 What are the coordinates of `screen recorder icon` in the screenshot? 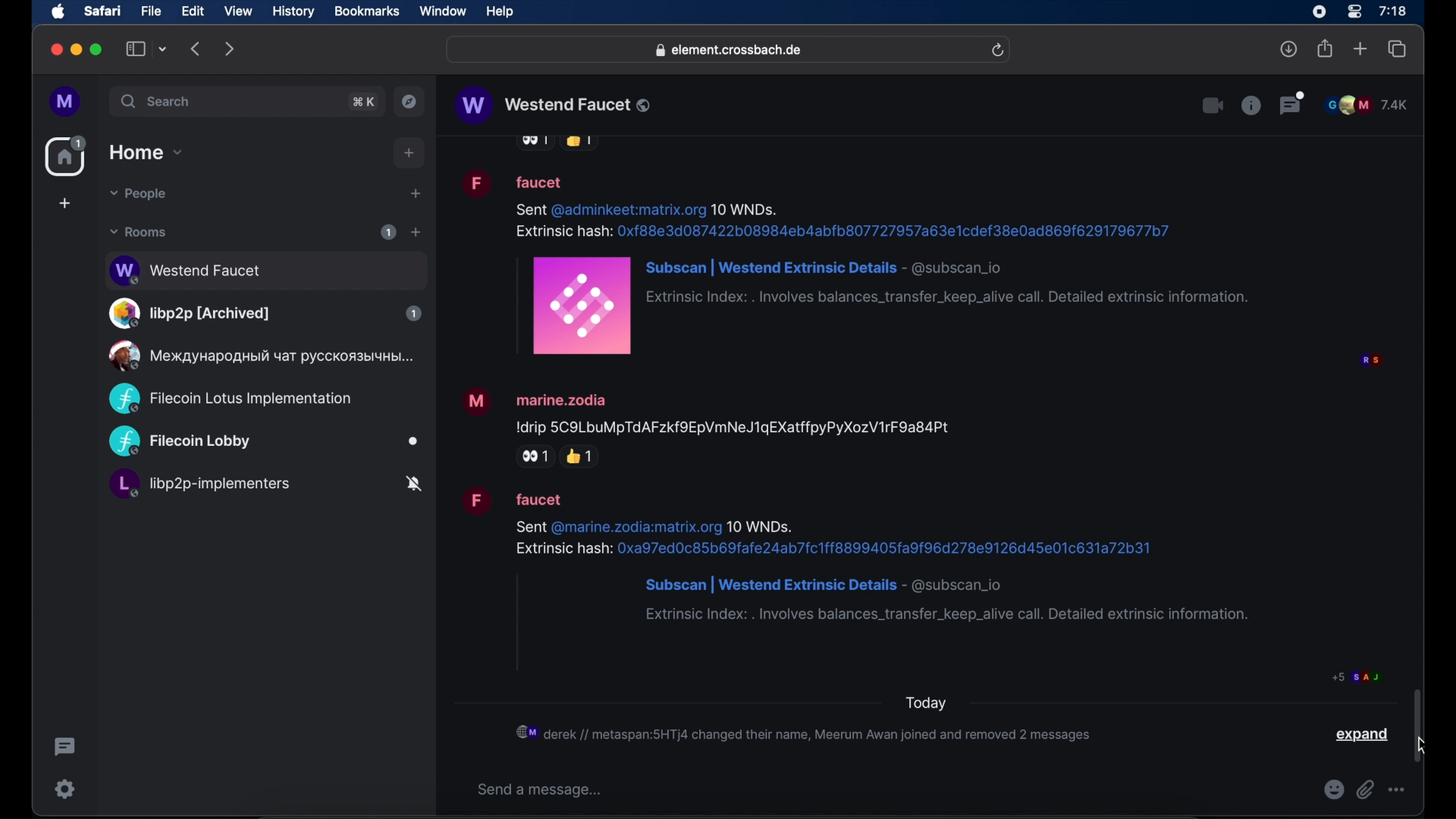 It's located at (1319, 12).